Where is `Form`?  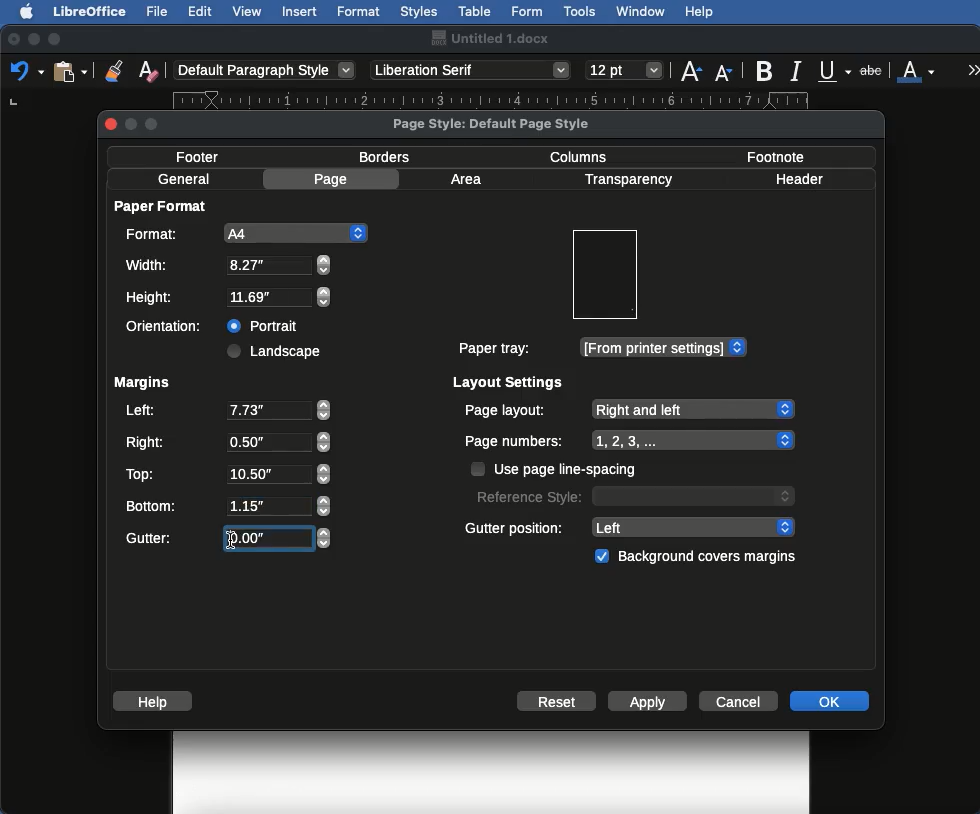
Form is located at coordinates (527, 12).